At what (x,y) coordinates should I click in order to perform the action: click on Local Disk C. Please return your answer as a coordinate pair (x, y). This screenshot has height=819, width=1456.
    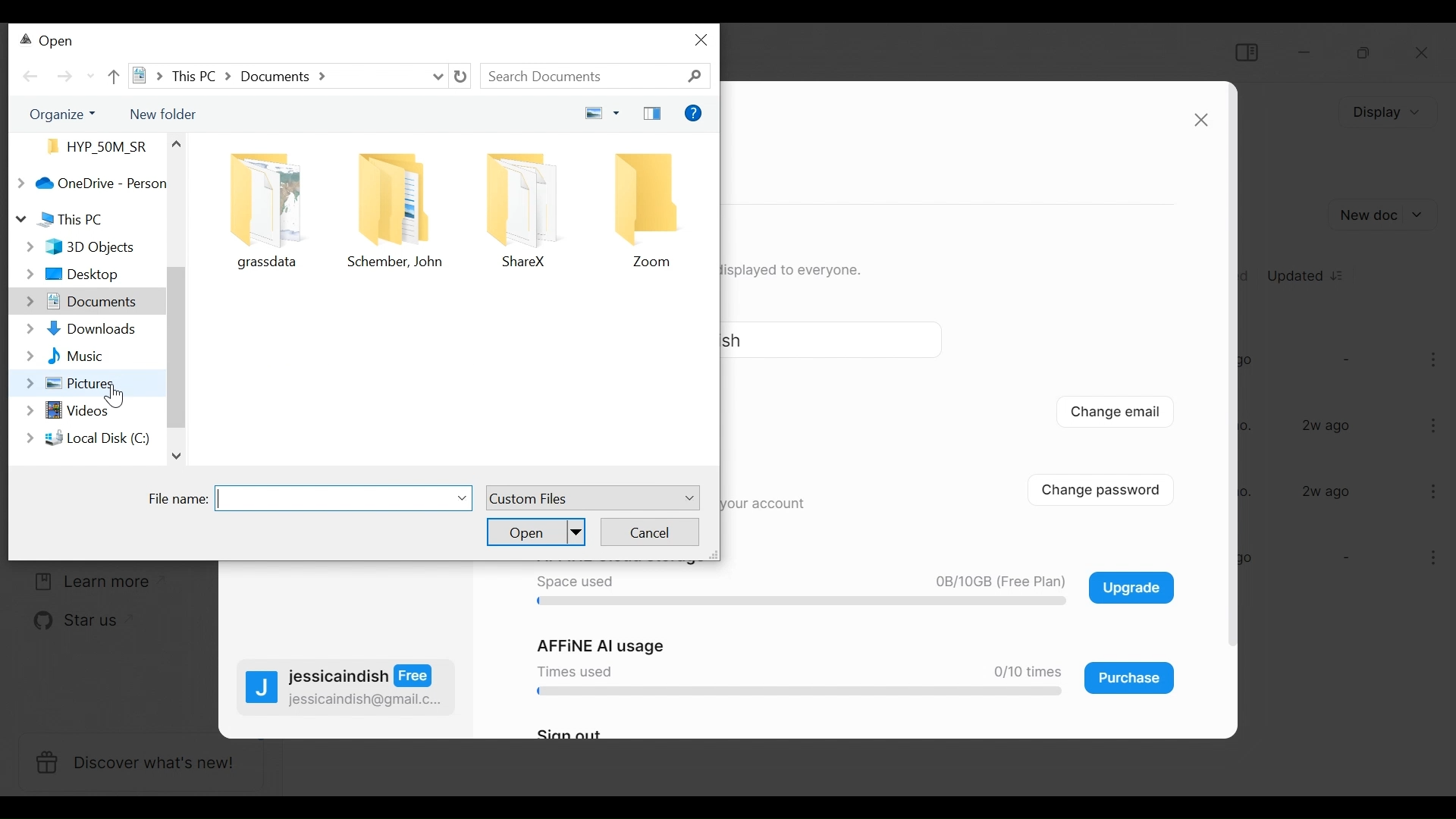
    Looking at the image, I should click on (85, 438).